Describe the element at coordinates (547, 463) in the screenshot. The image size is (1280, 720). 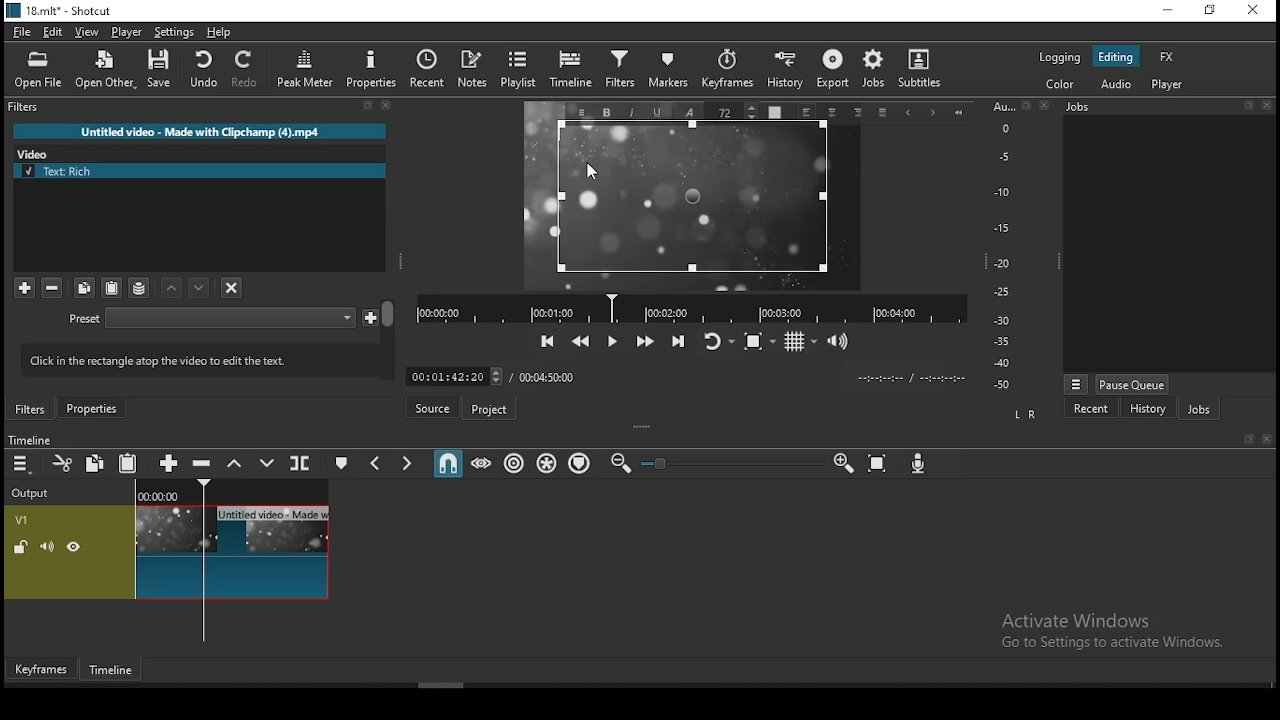
I see `ripple all tracks` at that location.